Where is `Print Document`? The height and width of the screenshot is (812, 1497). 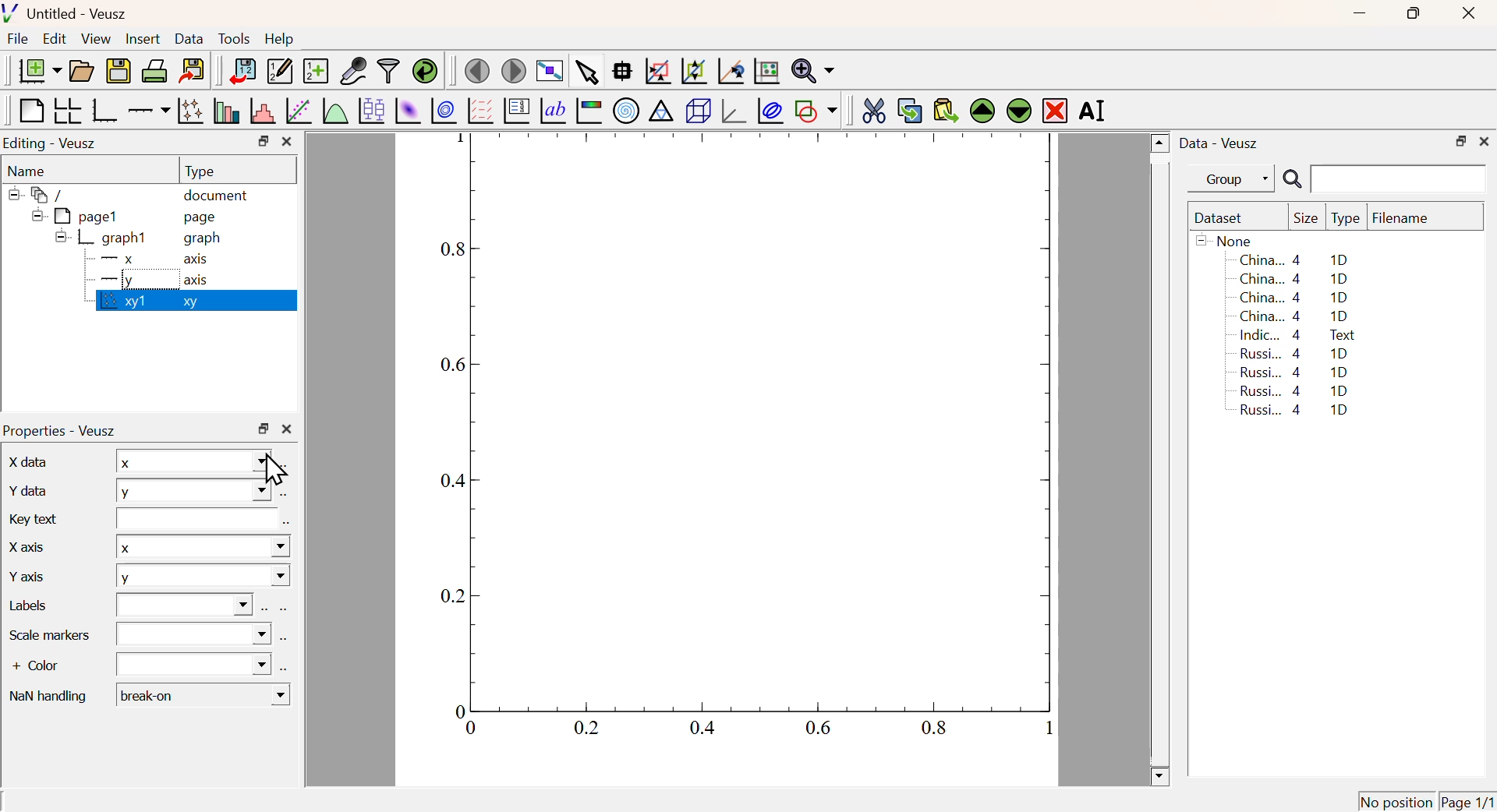
Print Document is located at coordinates (154, 70).